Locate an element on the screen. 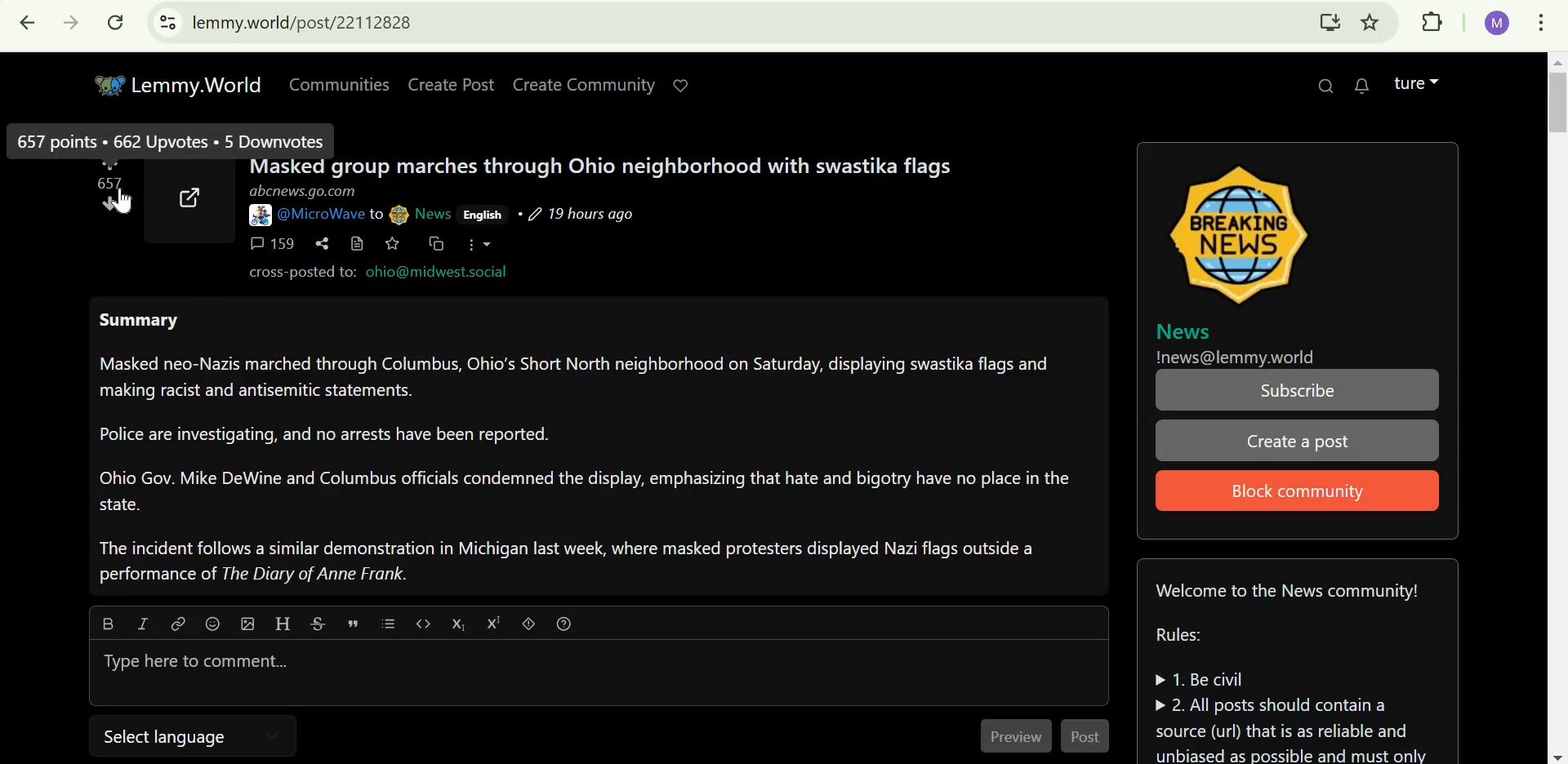 Image resolution: width=1568 pixels, height=764 pixels. Reload this page is located at coordinates (118, 22).